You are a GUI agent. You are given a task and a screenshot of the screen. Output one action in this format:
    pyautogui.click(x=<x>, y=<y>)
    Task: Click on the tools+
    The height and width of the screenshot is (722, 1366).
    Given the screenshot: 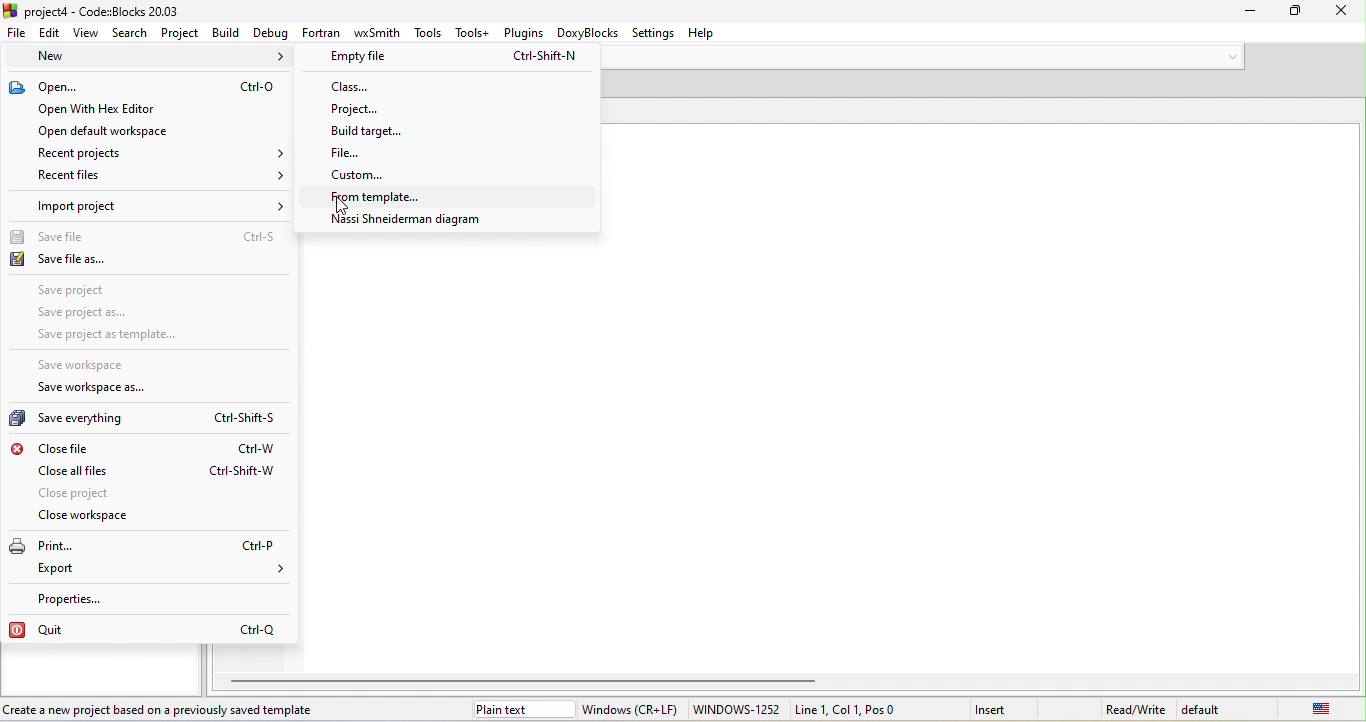 What is the action you would take?
    pyautogui.click(x=471, y=32)
    